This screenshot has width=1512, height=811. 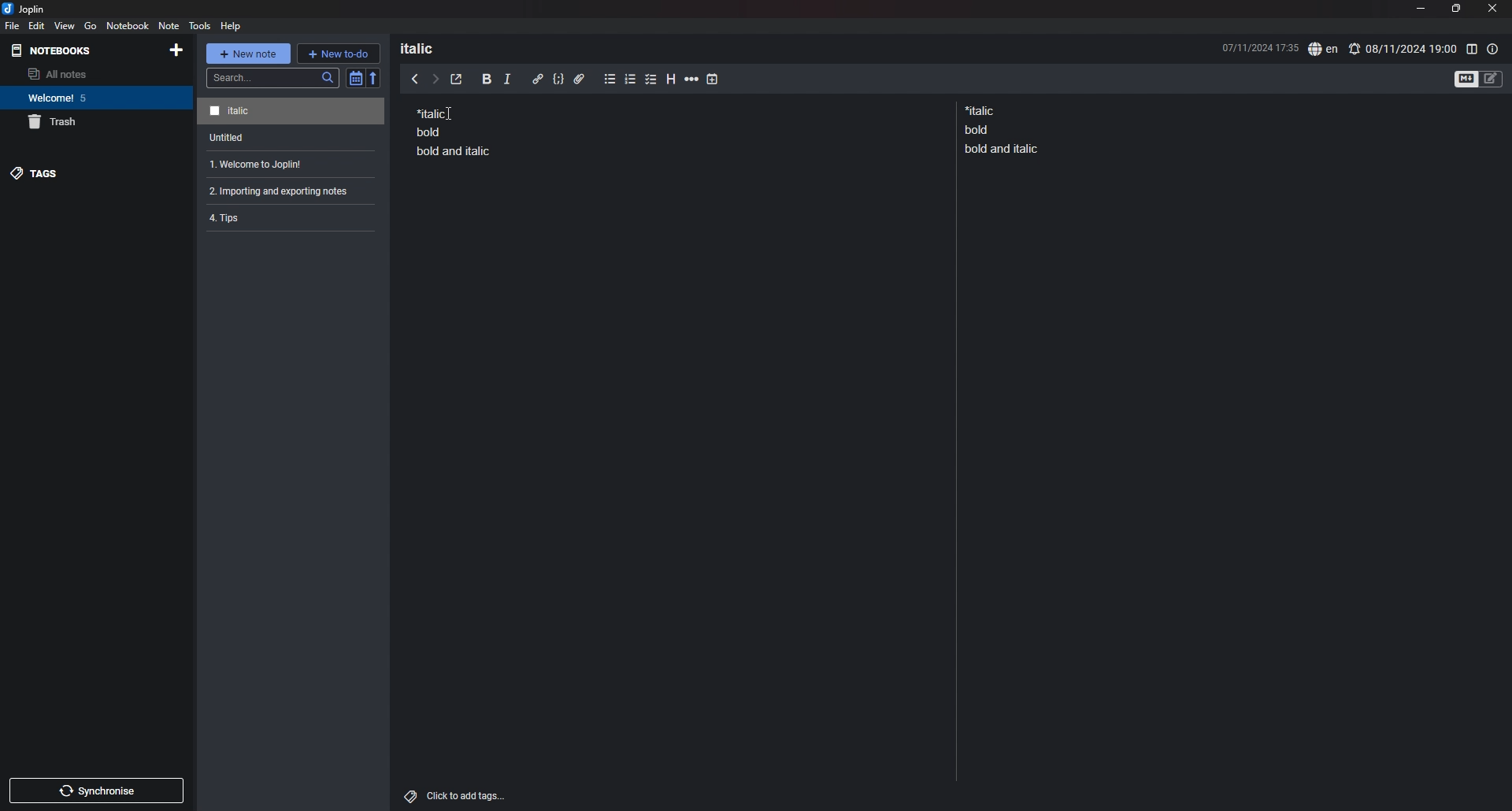 What do you see at coordinates (1479, 78) in the screenshot?
I see `toggle editors` at bounding box center [1479, 78].